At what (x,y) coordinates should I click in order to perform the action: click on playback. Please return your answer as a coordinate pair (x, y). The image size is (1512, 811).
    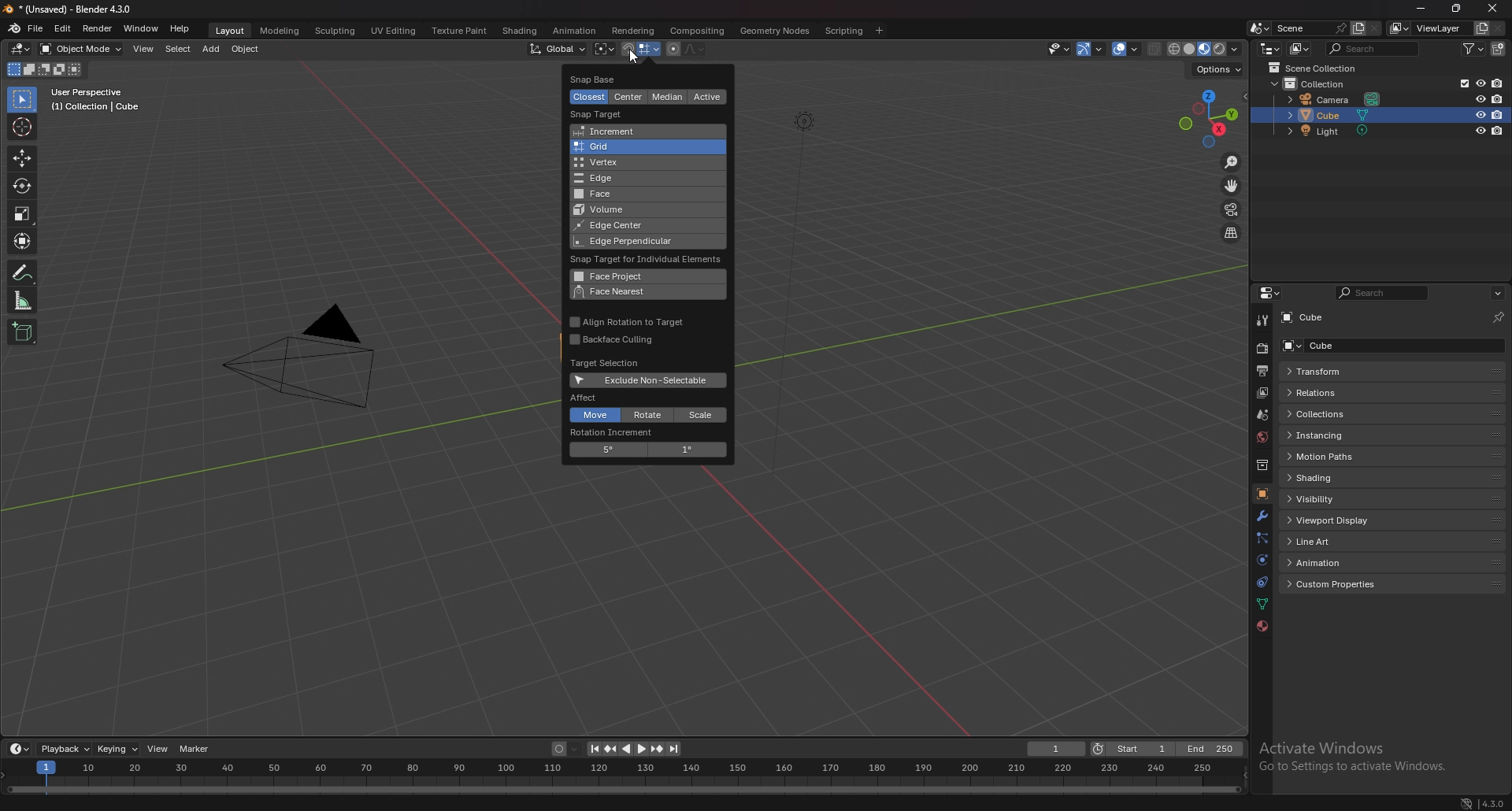
    Looking at the image, I should click on (65, 748).